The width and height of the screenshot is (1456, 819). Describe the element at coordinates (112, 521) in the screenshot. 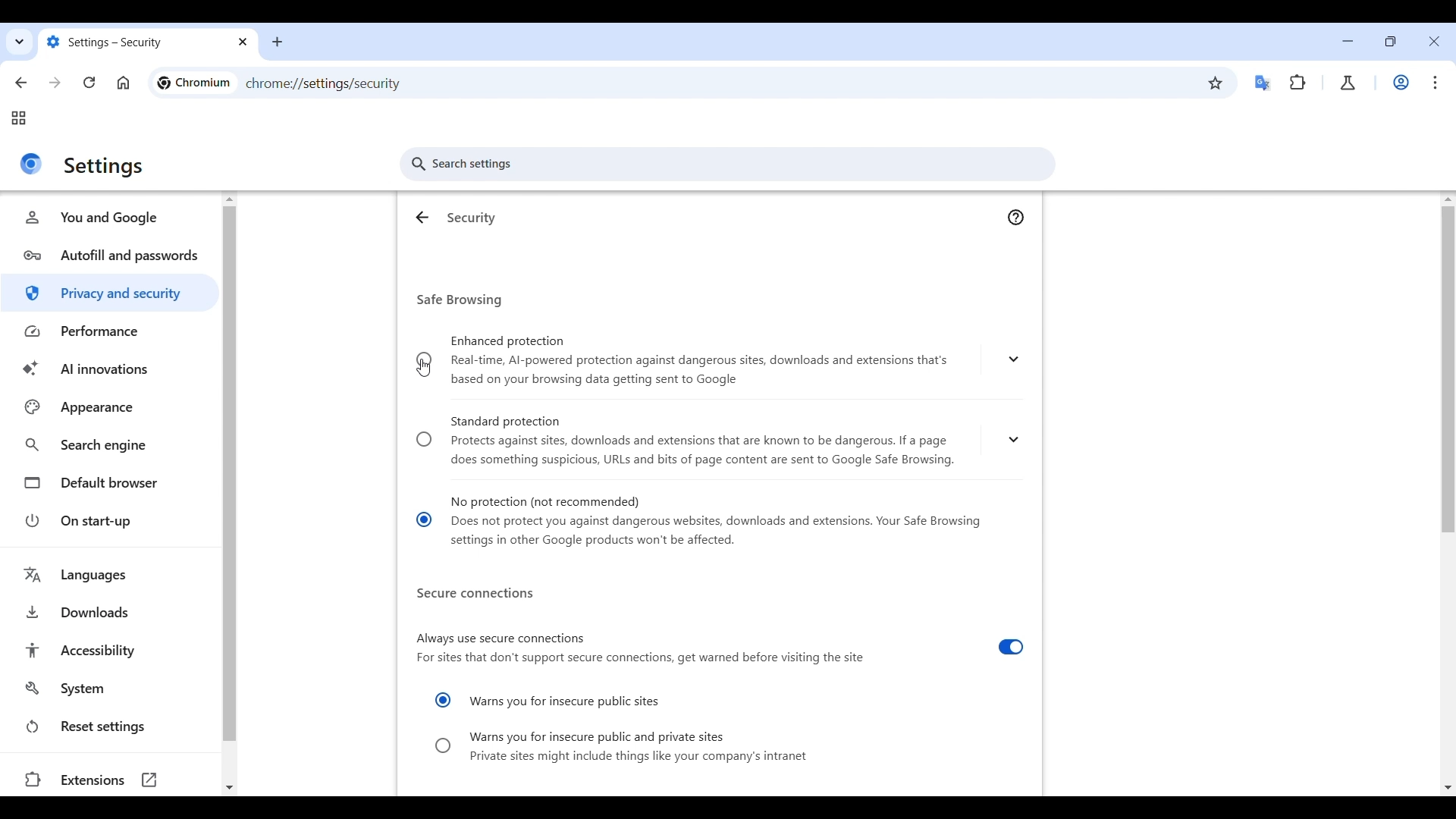

I see `On start-up` at that location.